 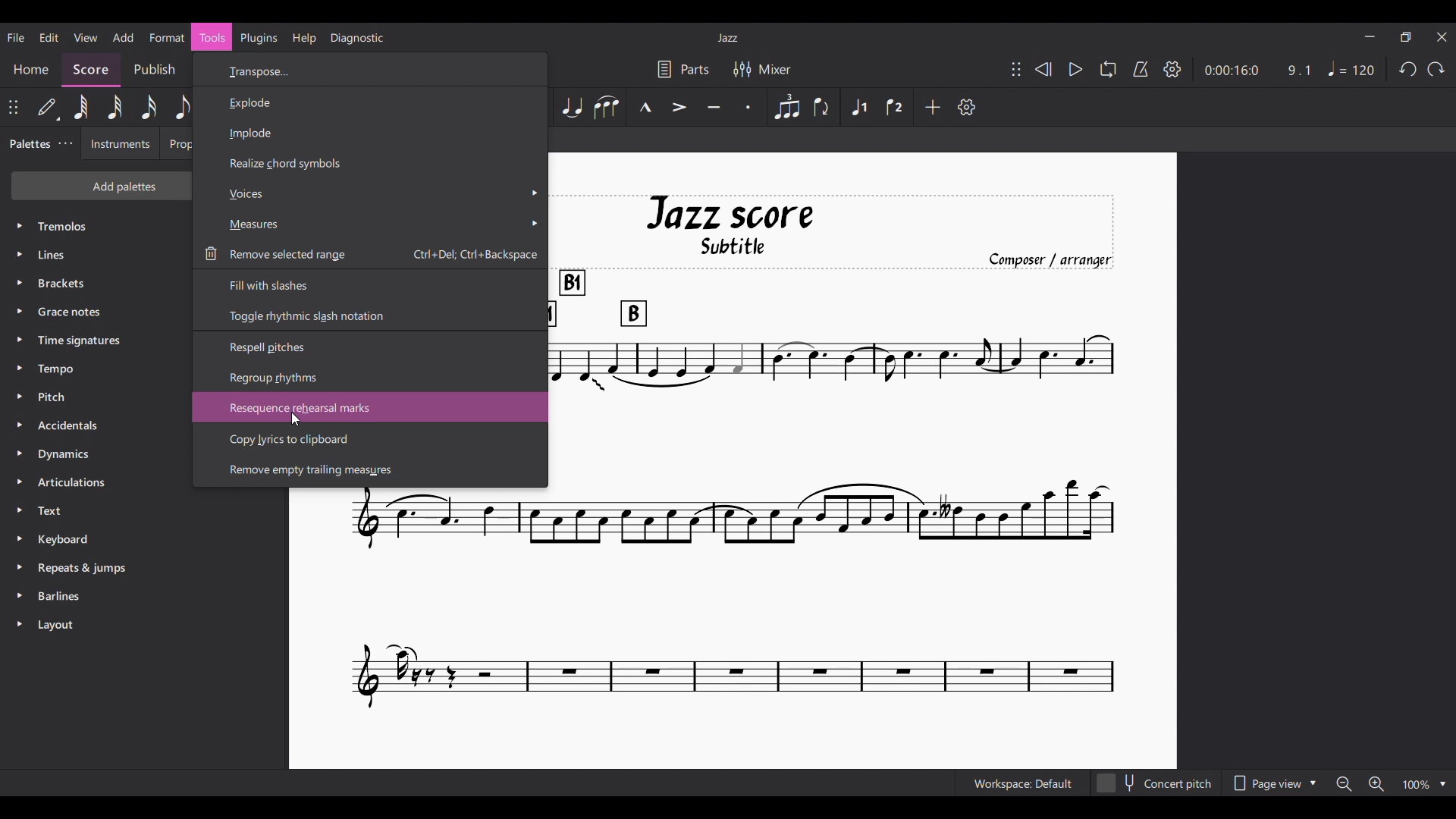 What do you see at coordinates (369, 284) in the screenshot?
I see `Fill with slashes` at bounding box center [369, 284].